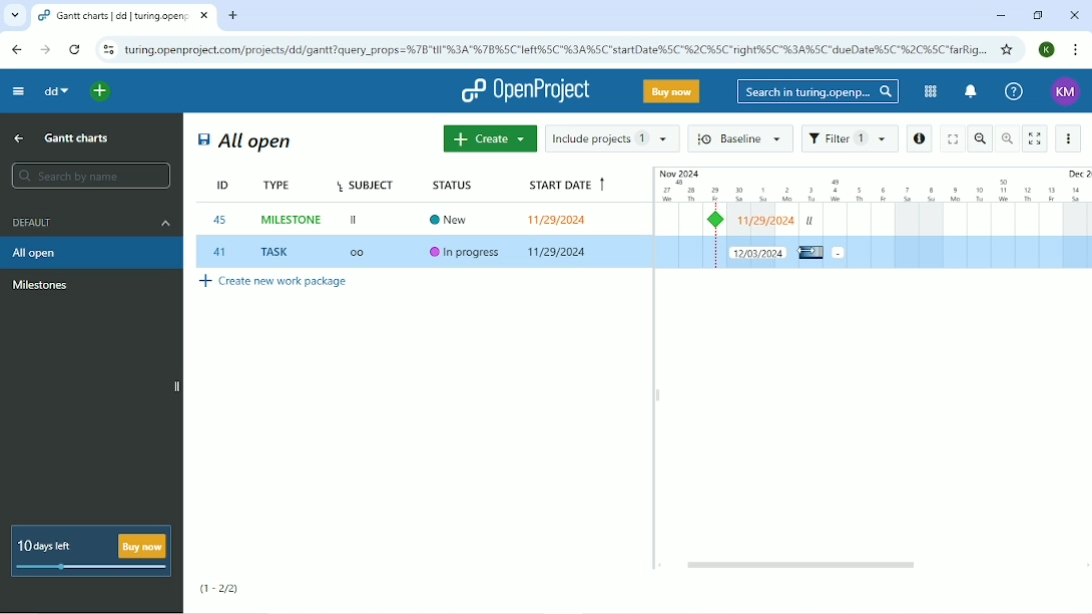 Image resolution: width=1092 pixels, height=614 pixels. Describe the element at coordinates (1012, 90) in the screenshot. I see `Help` at that location.